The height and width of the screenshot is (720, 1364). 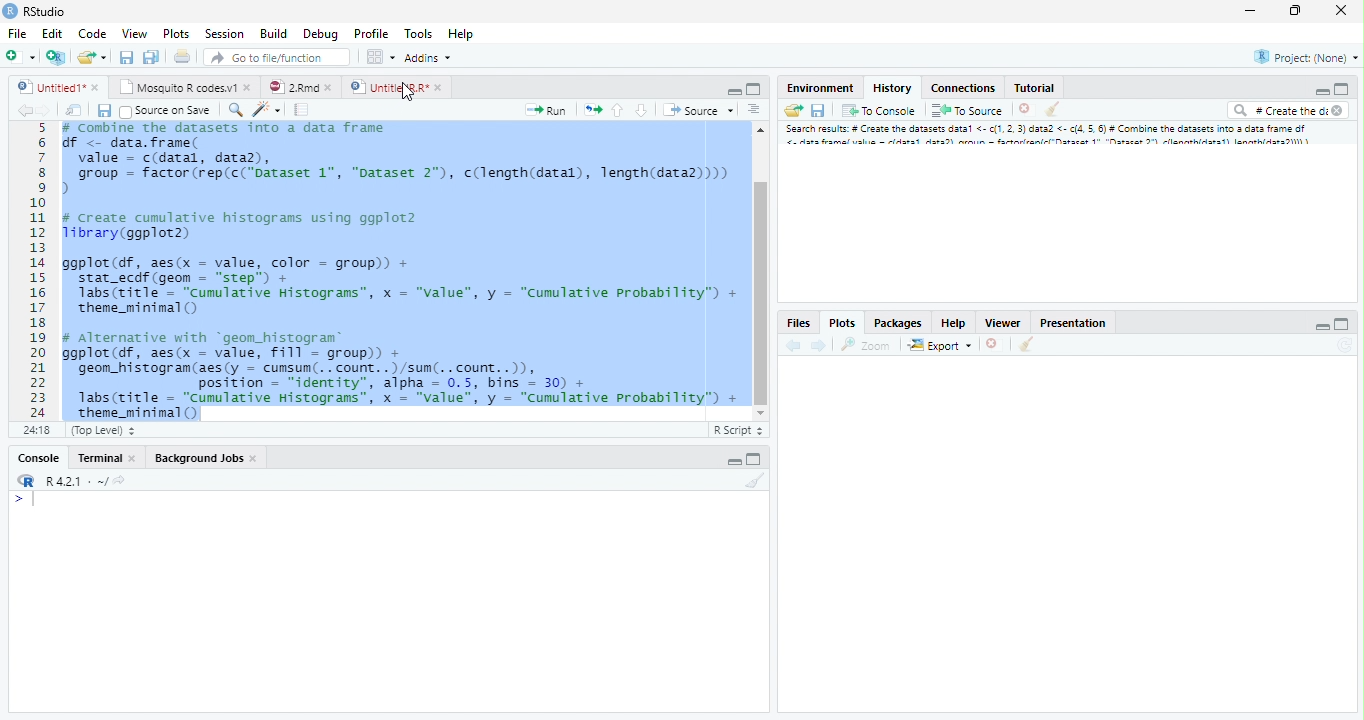 What do you see at coordinates (107, 457) in the screenshot?
I see `Terminal` at bounding box center [107, 457].